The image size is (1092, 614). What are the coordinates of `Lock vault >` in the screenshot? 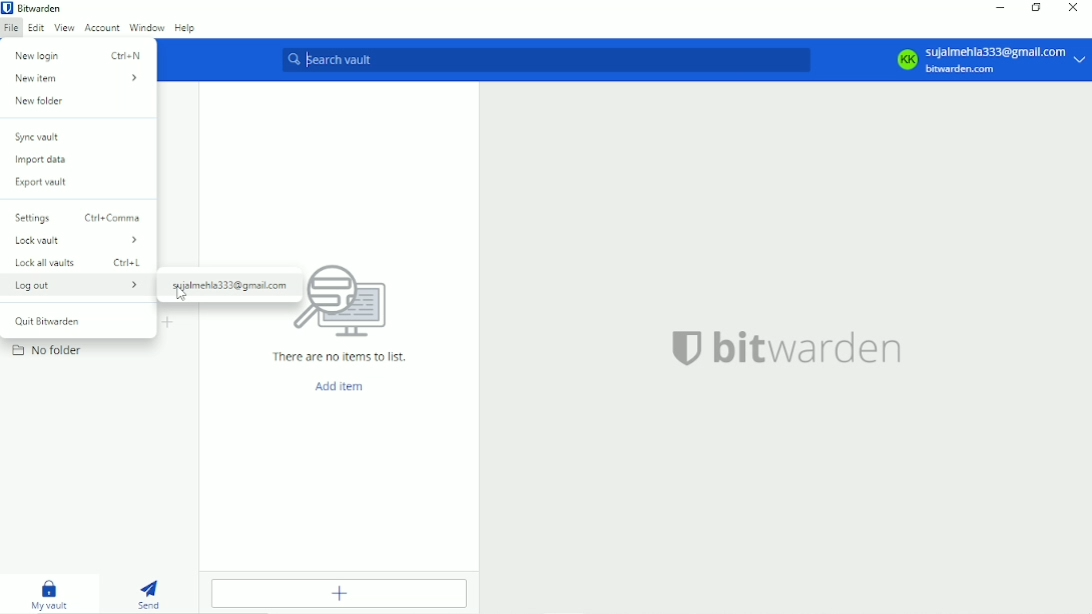 It's located at (77, 240).